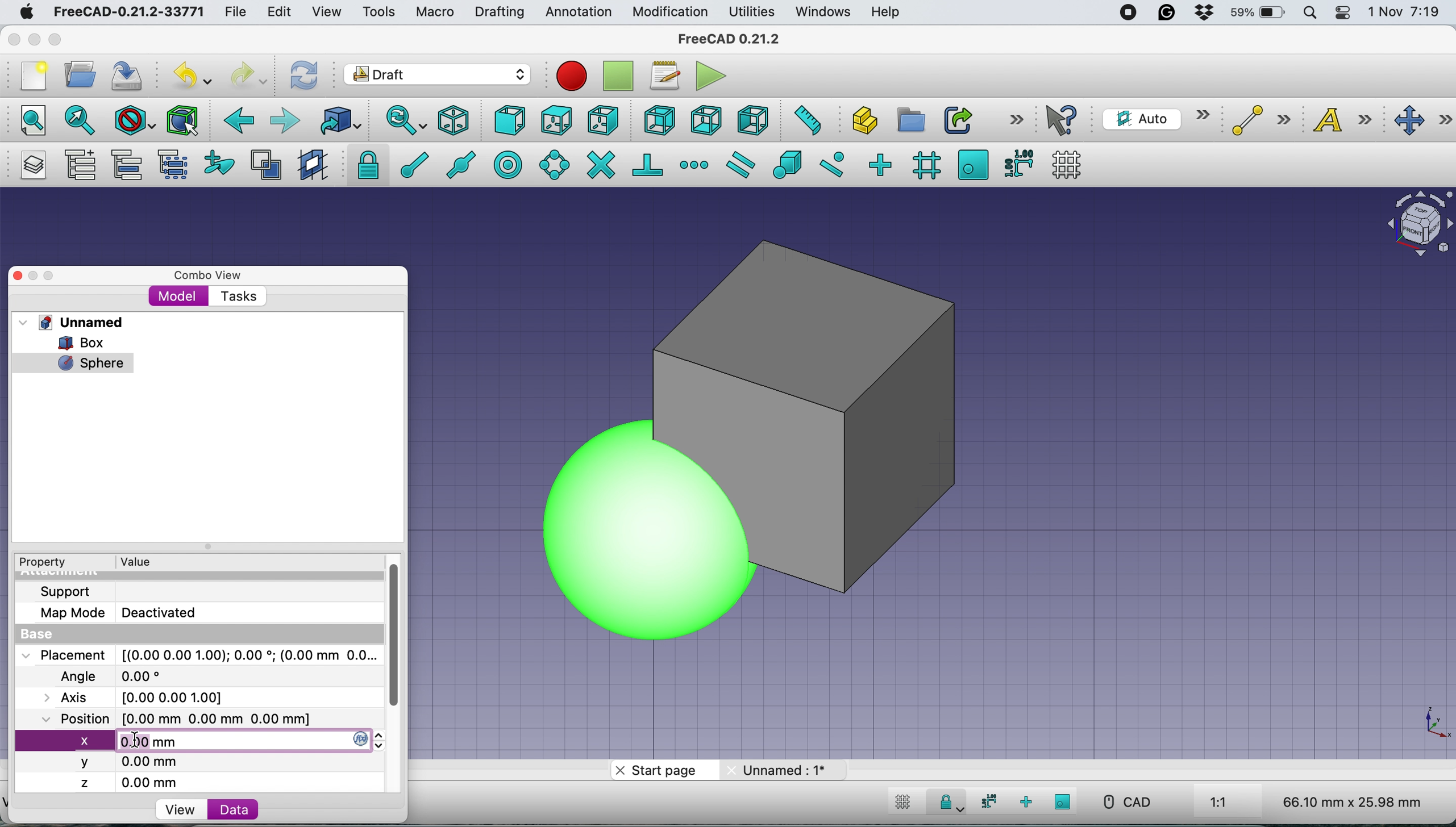 This screenshot has width=1456, height=827. I want to click on aspect ratio, so click(1219, 803).